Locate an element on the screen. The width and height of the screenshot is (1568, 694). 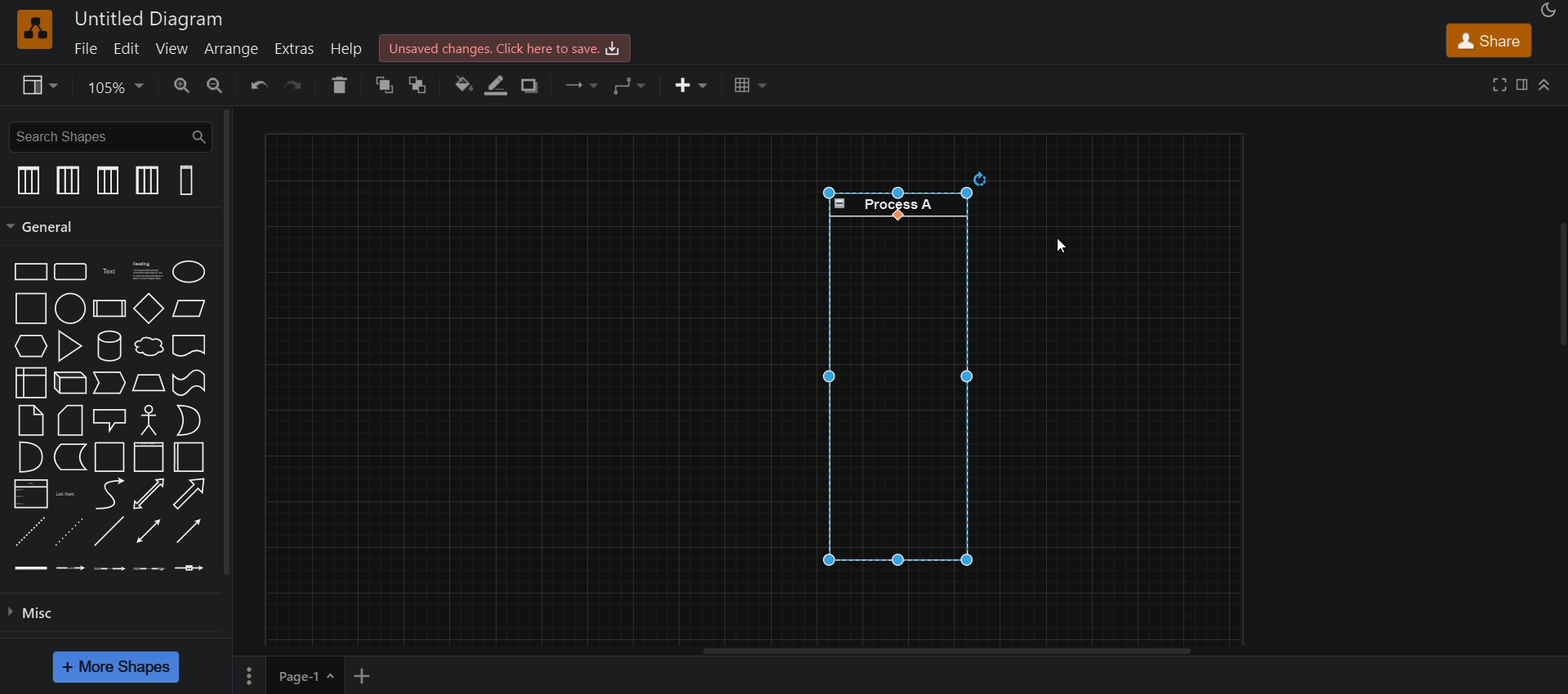
connector with 2 labels is located at coordinates (111, 568).